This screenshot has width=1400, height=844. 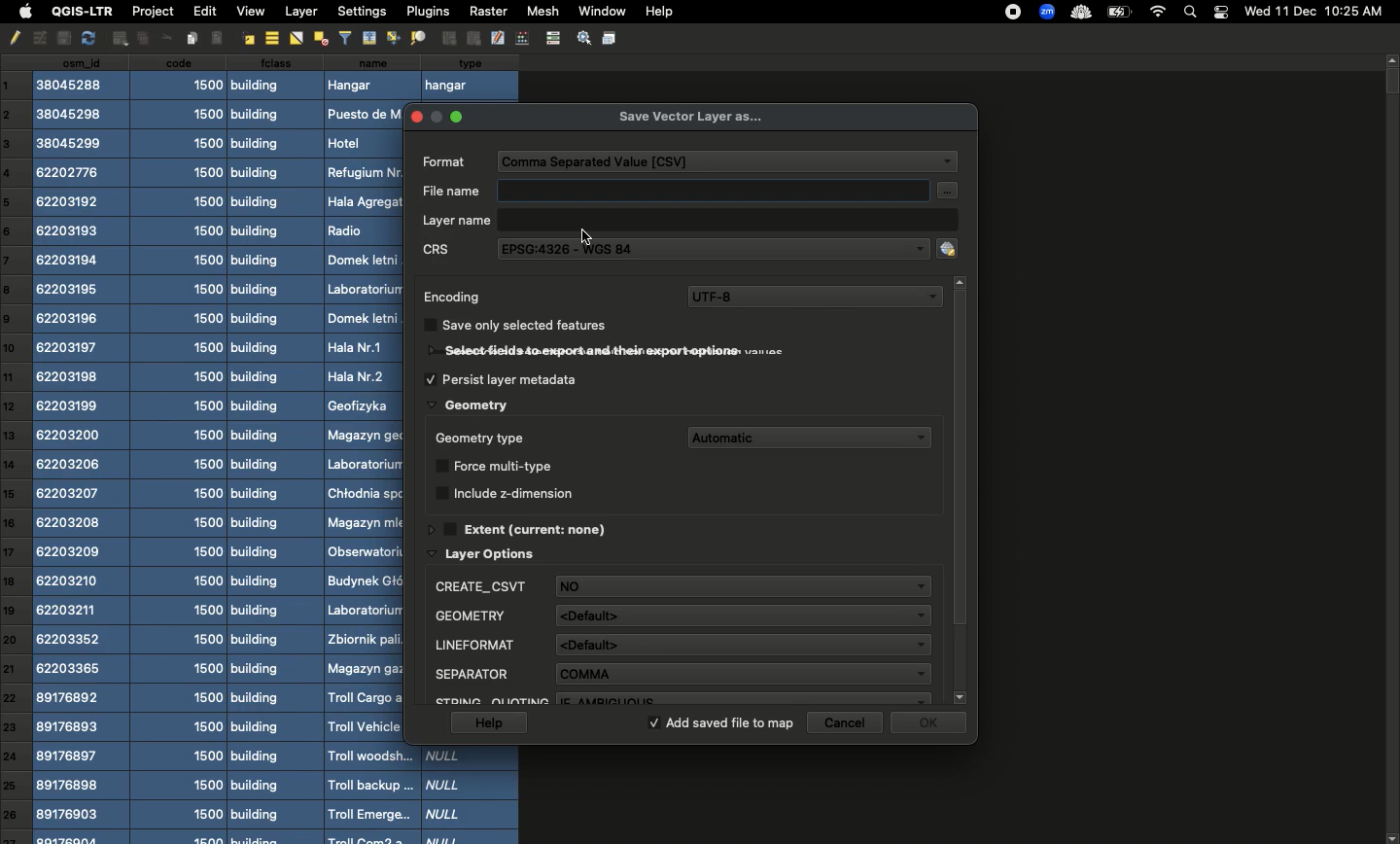 What do you see at coordinates (508, 376) in the screenshot?
I see `Persist layer metadata` at bounding box center [508, 376].